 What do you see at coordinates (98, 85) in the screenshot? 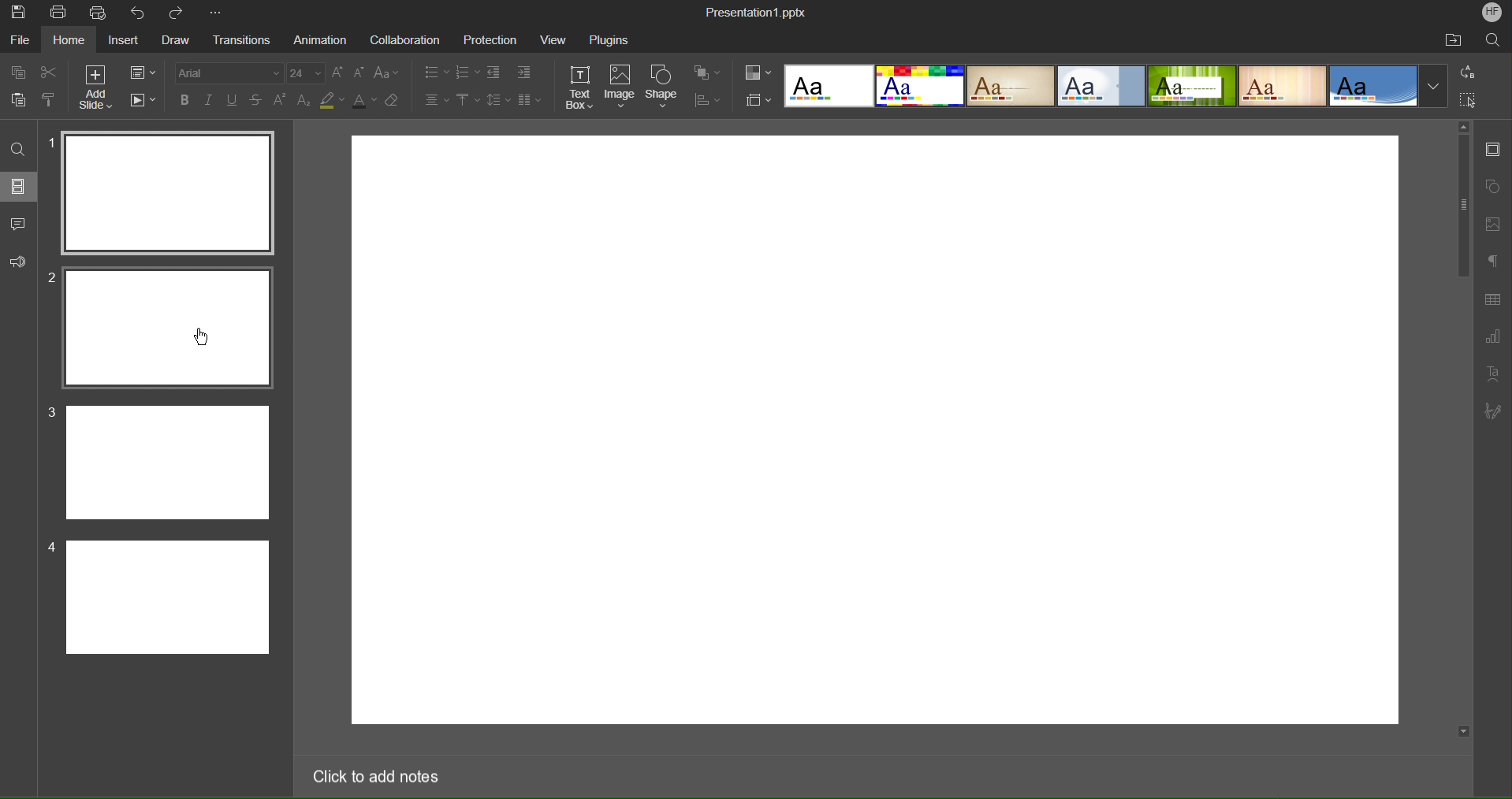
I see `Add Slide` at bounding box center [98, 85].